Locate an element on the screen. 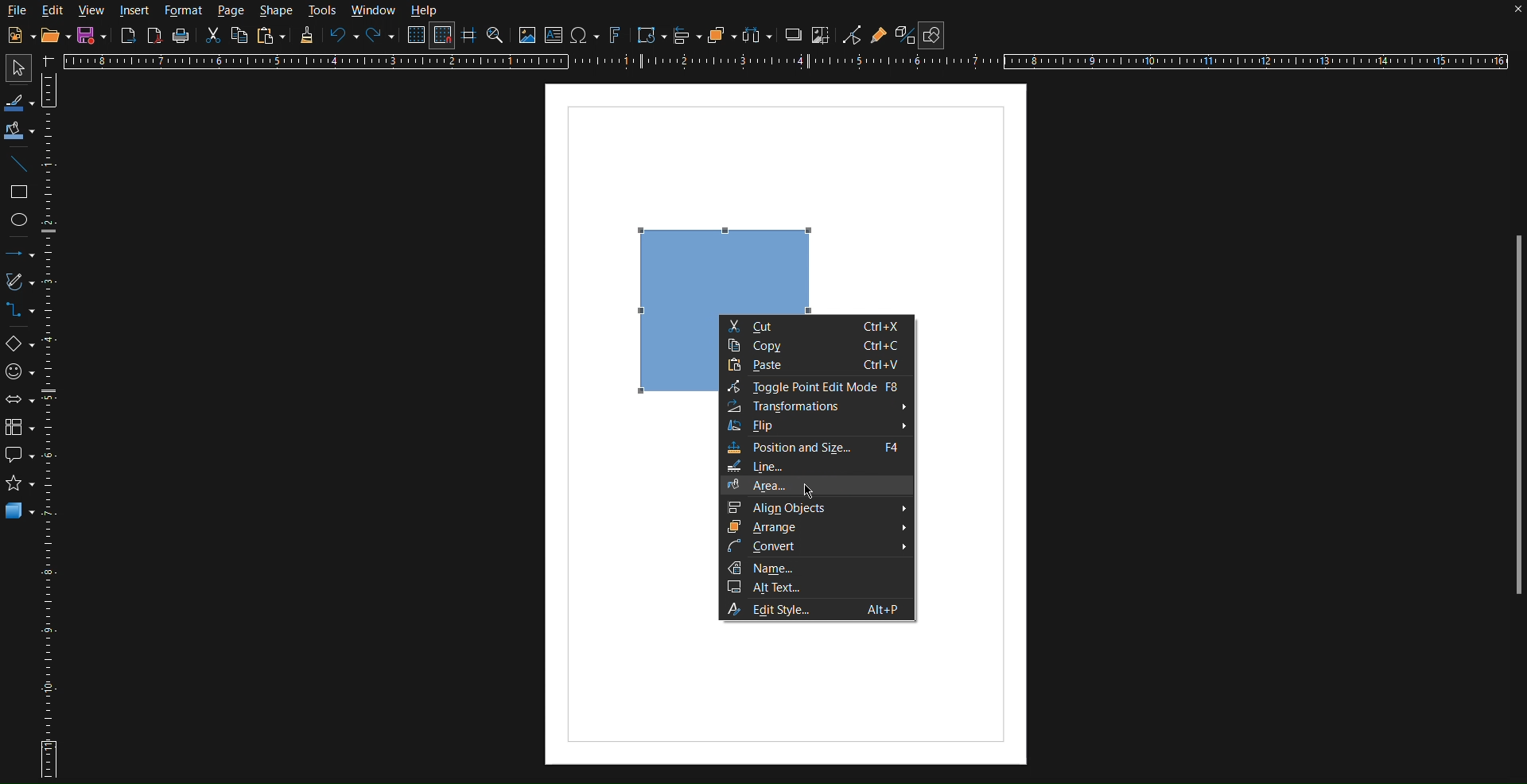 The height and width of the screenshot is (784, 1527). Format is located at coordinates (183, 11).